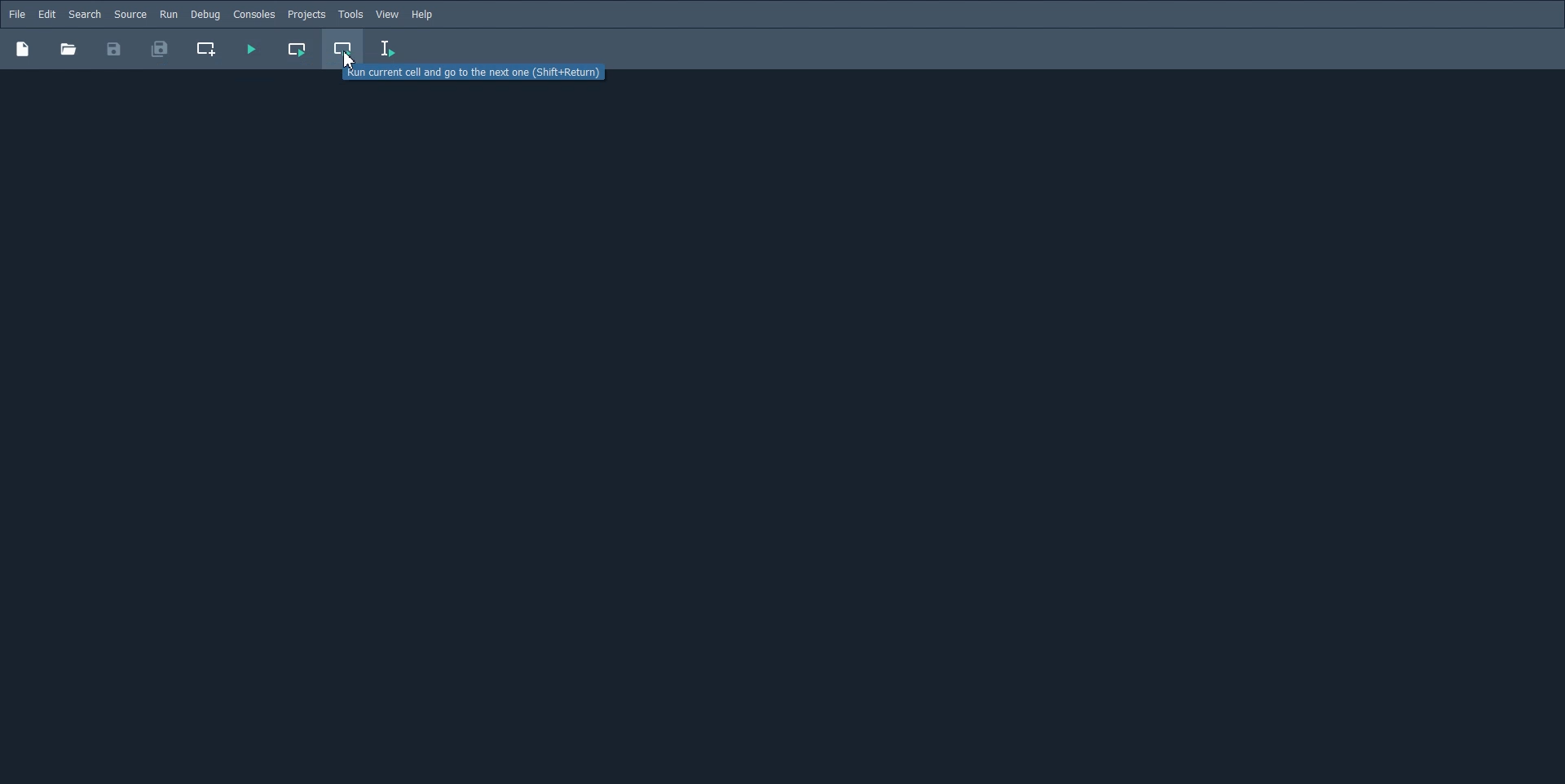  What do you see at coordinates (350, 15) in the screenshot?
I see `Tools` at bounding box center [350, 15].